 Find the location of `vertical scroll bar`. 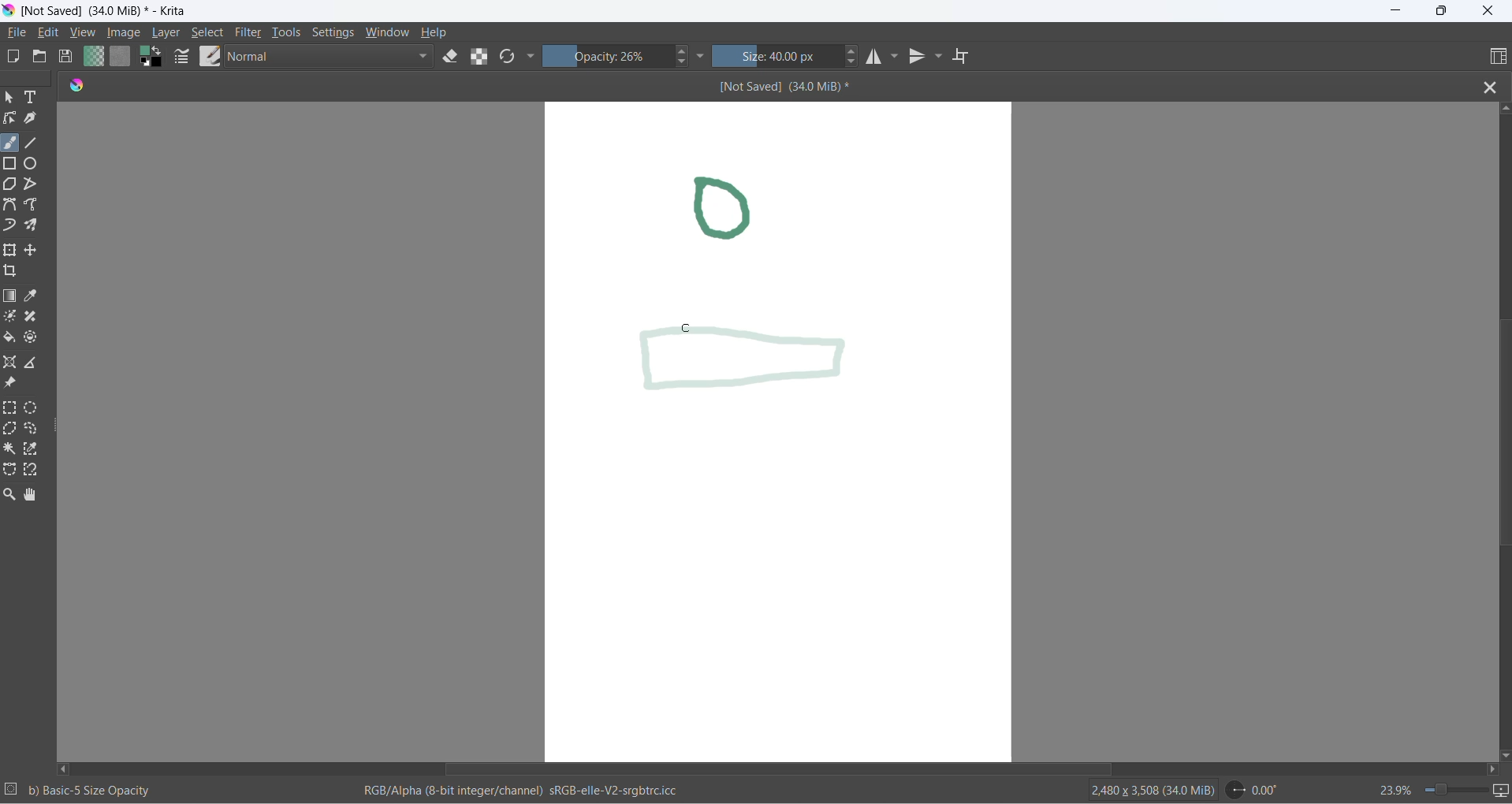

vertical scroll bar is located at coordinates (1499, 446).